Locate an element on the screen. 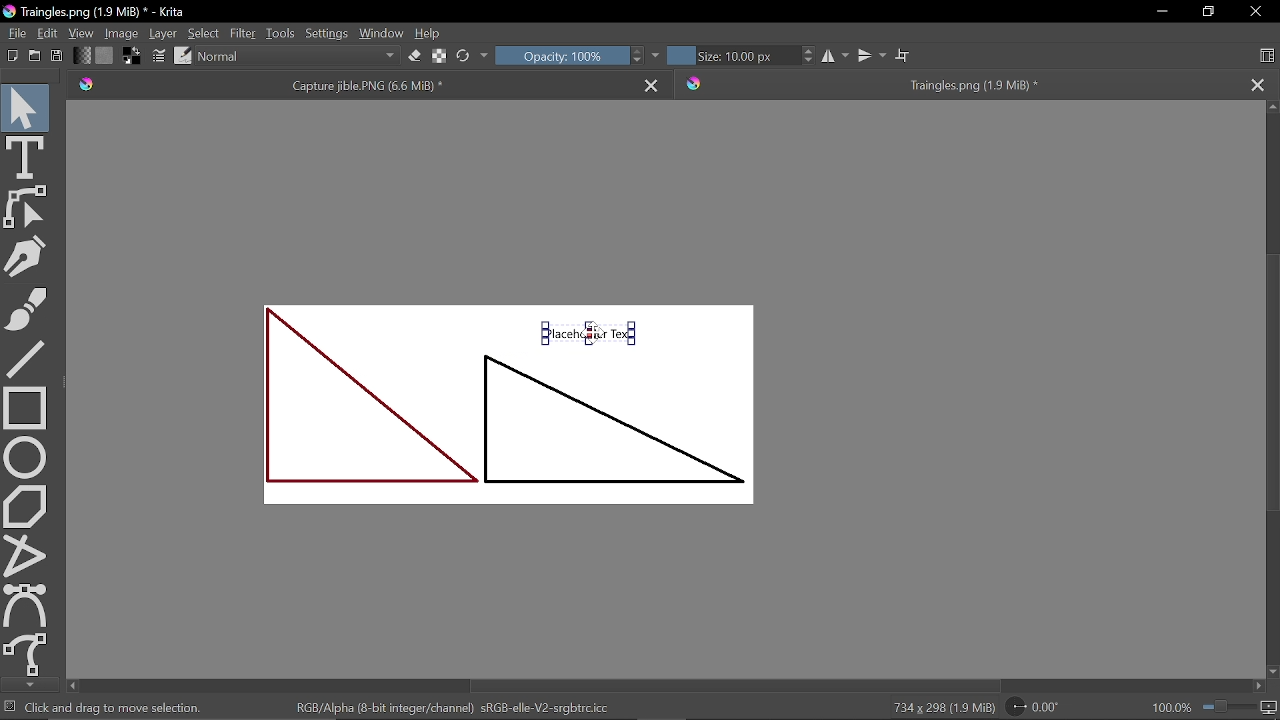 Image resolution: width=1280 pixels, height=720 pixels. Foreground color is located at coordinates (132, 56).